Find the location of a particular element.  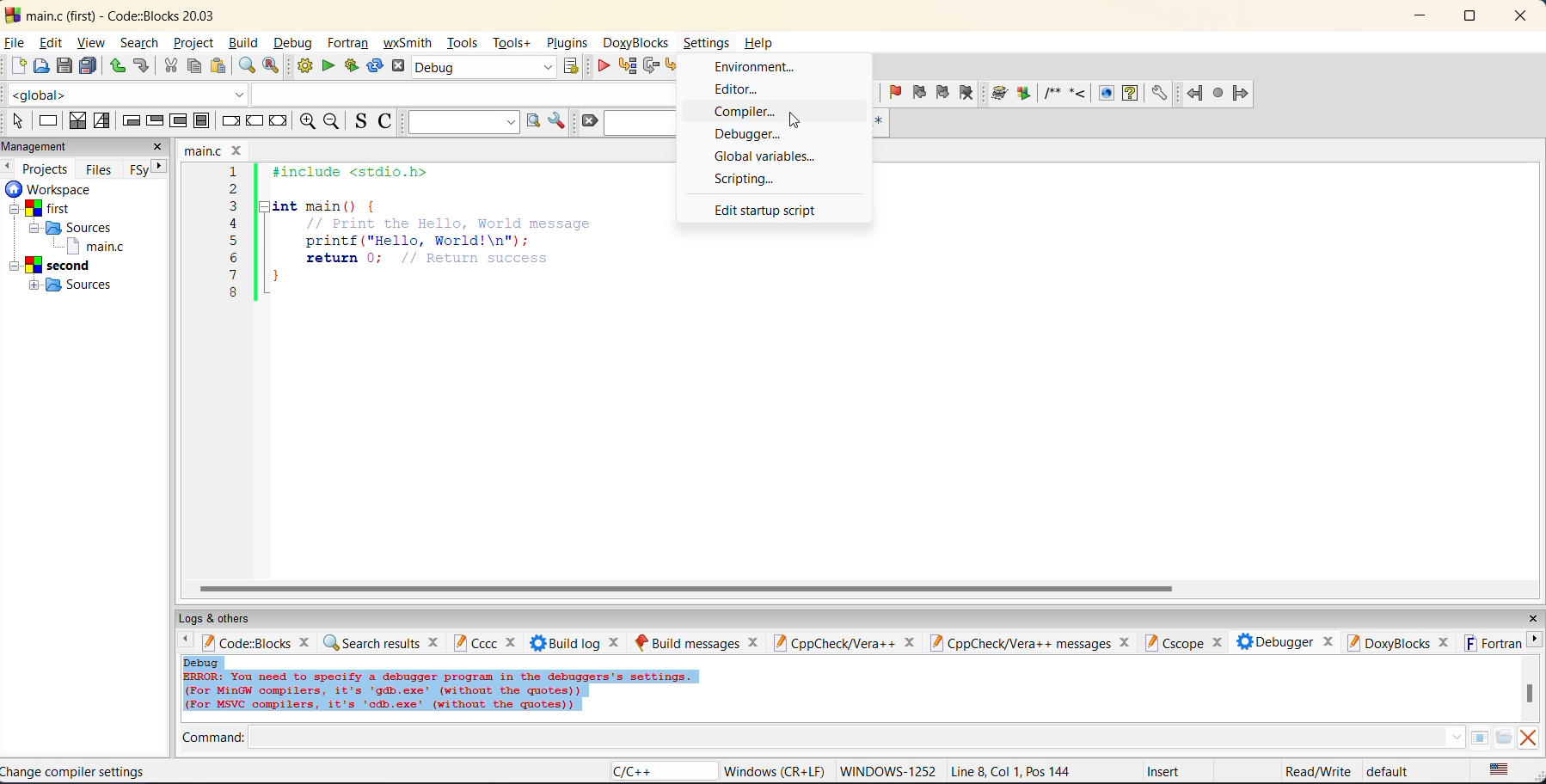

fortran is located at coordinates (350, 44).